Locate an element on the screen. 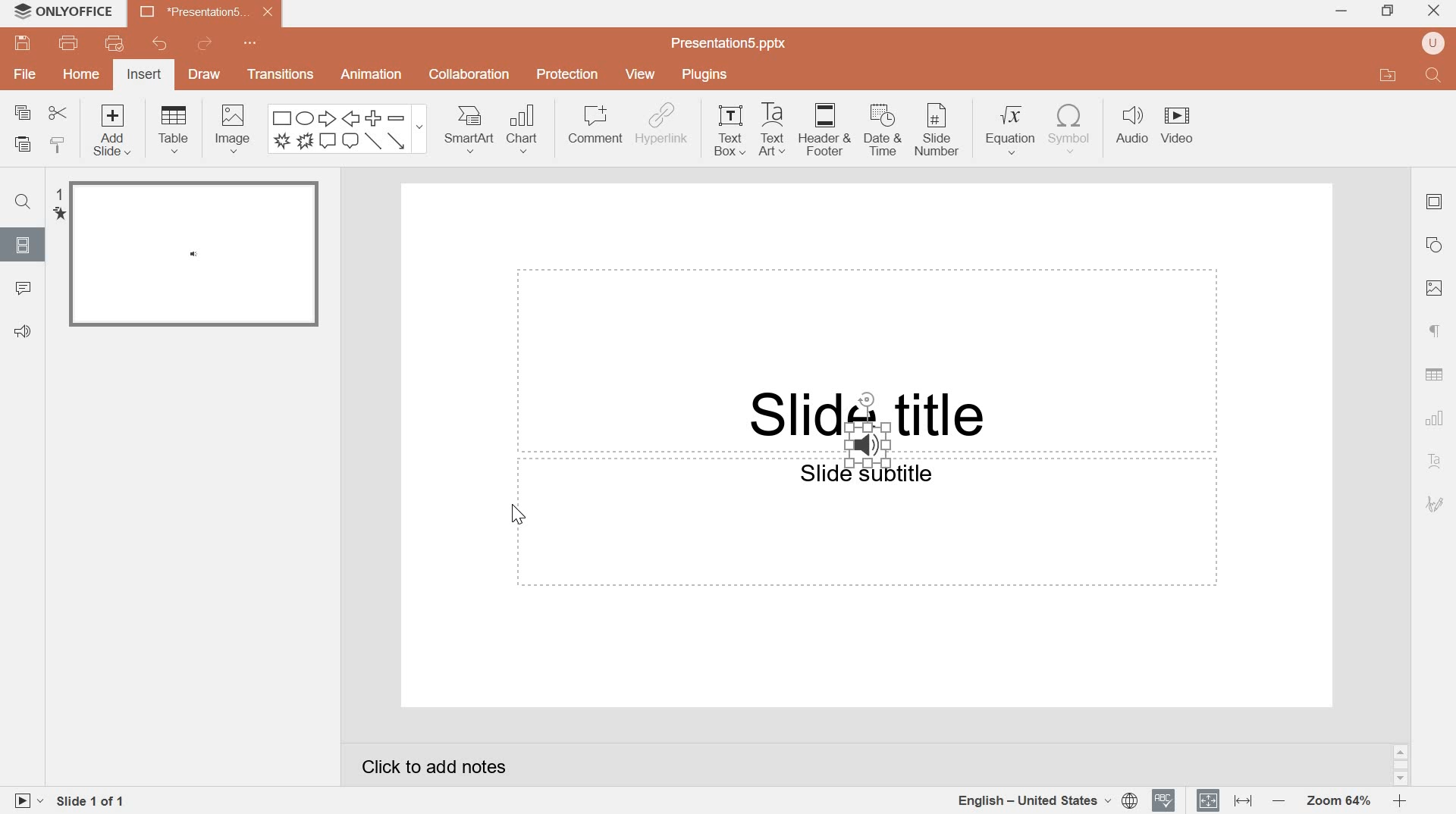  Hyperlink is located at coordinates (662, 126).